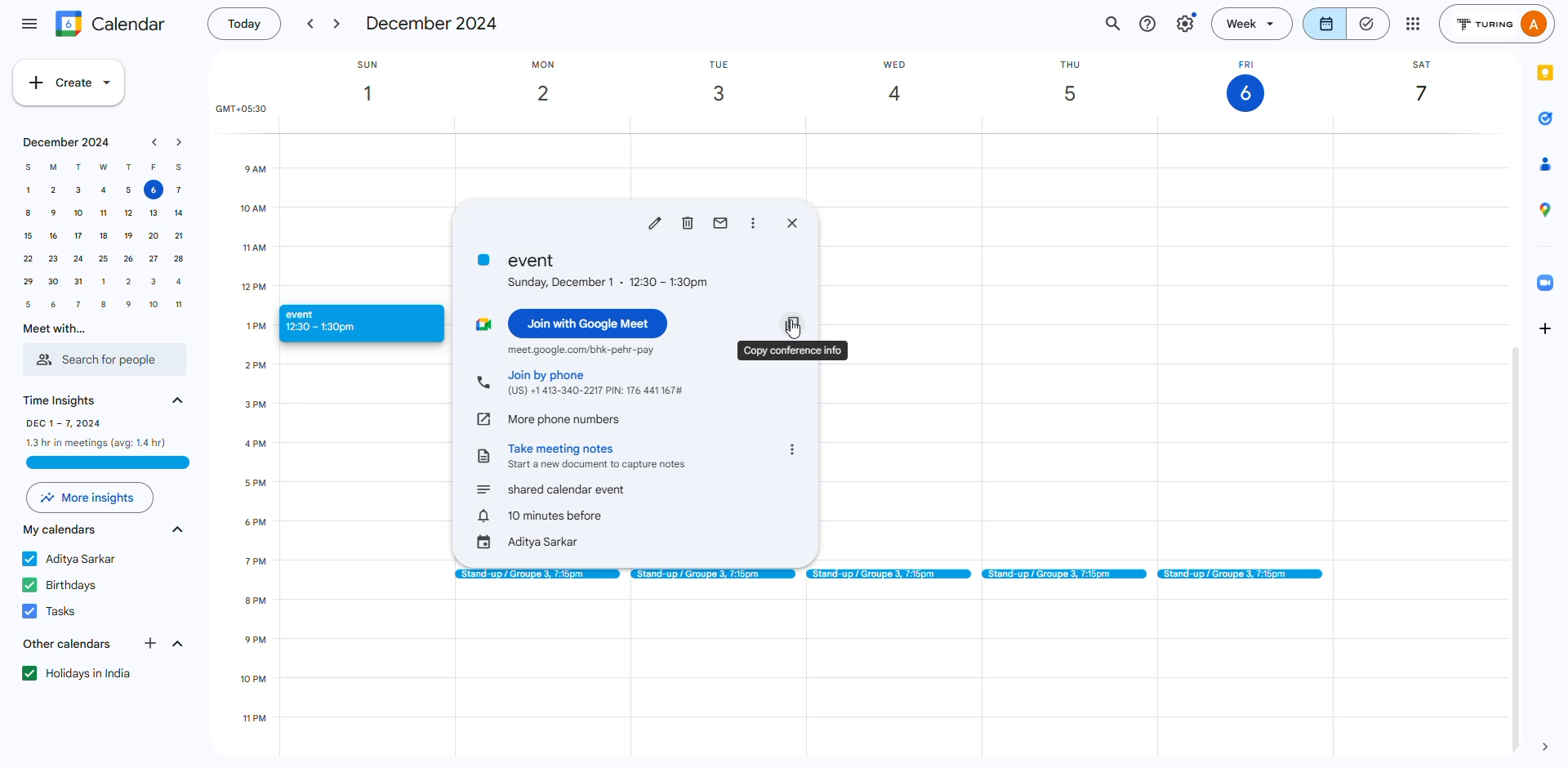 The width and height of the screenshot is (1568, 768). I want to click on time, so click(265, 542).